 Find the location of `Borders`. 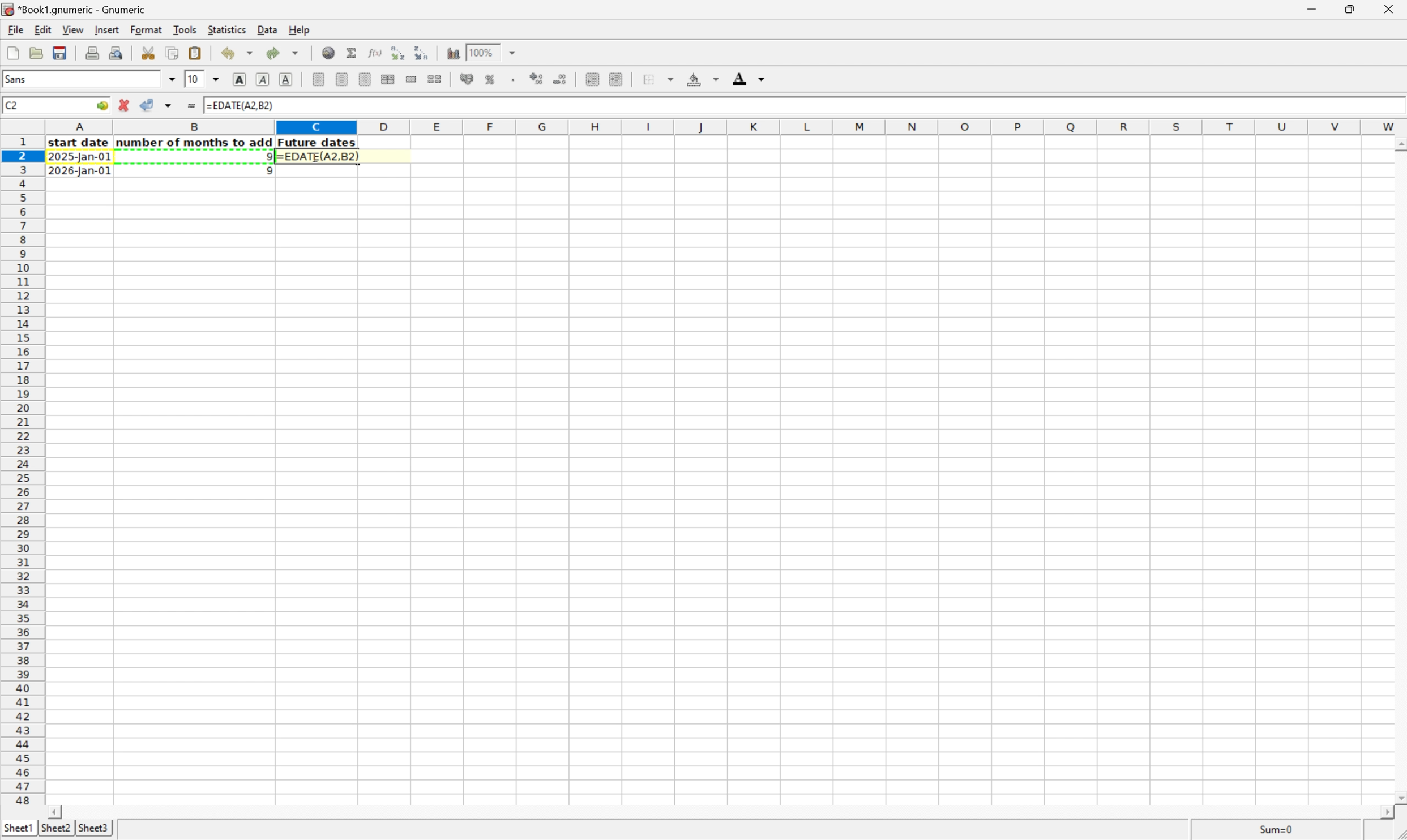

Borders is located at coordinates (656, 79).